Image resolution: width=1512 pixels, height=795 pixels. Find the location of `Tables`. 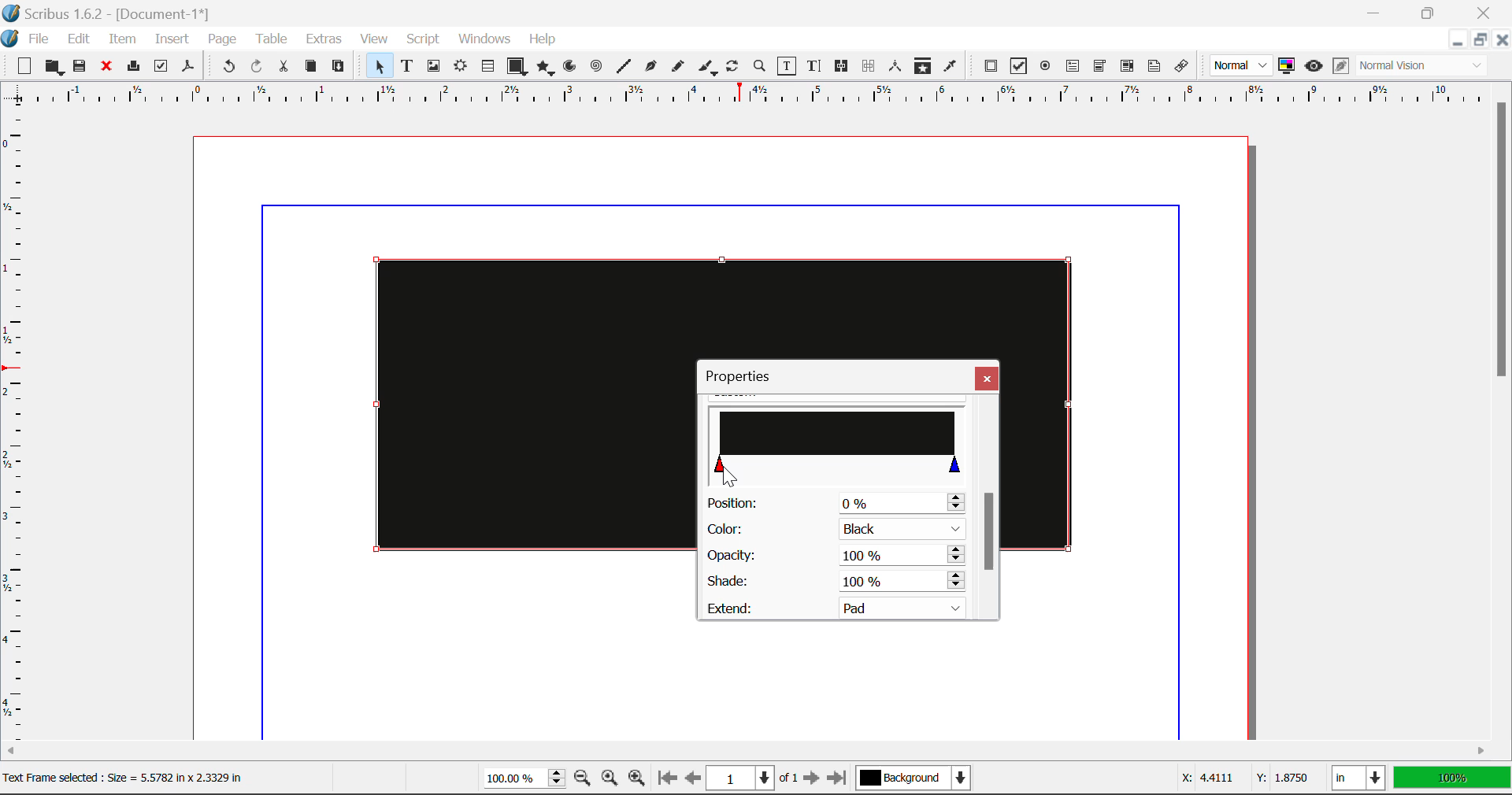

Tables is located at coordinates (487, 68).